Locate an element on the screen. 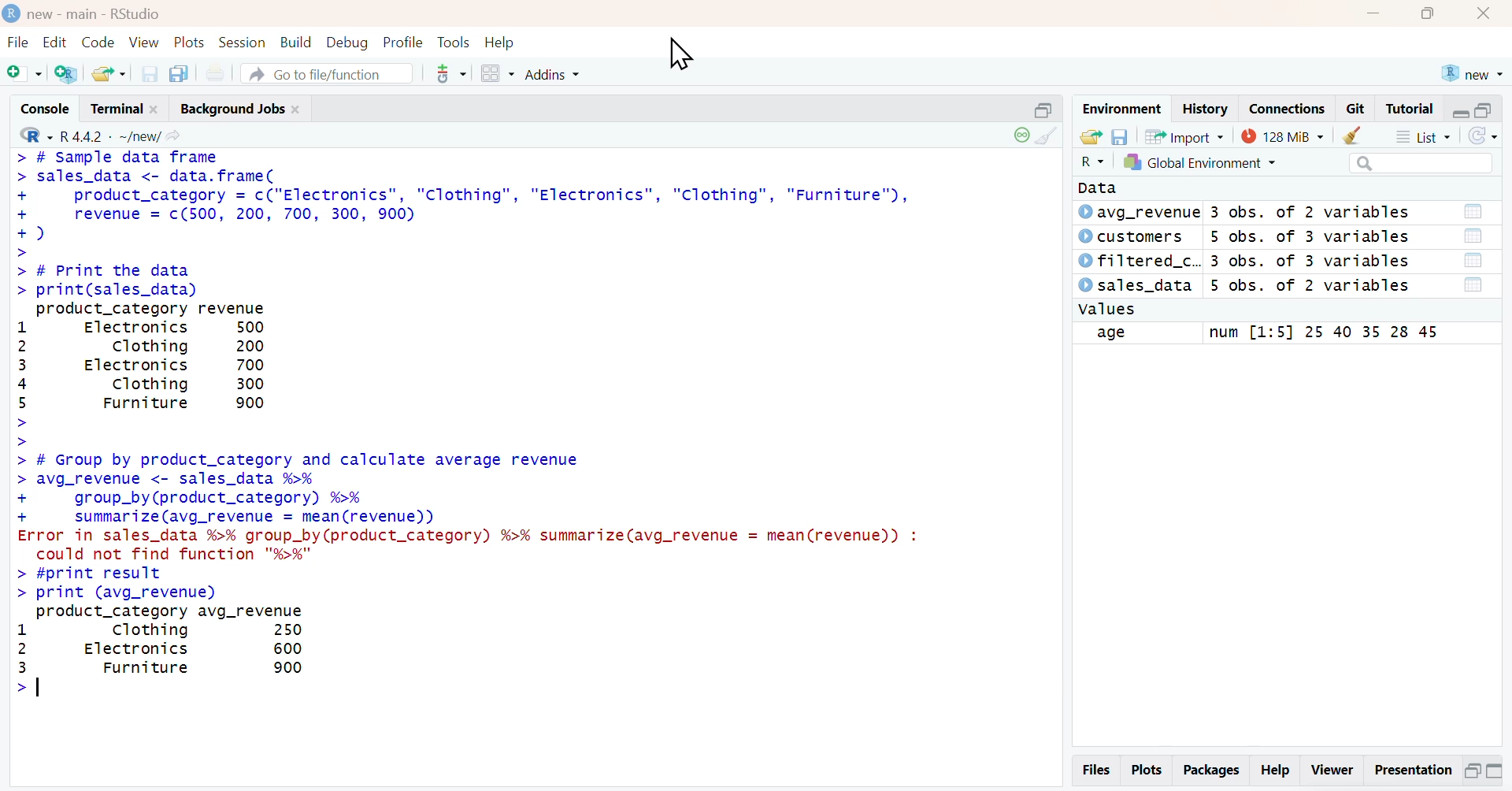 The image size is (1512, 791). Background Jobs is located at coordinates (239, 108).